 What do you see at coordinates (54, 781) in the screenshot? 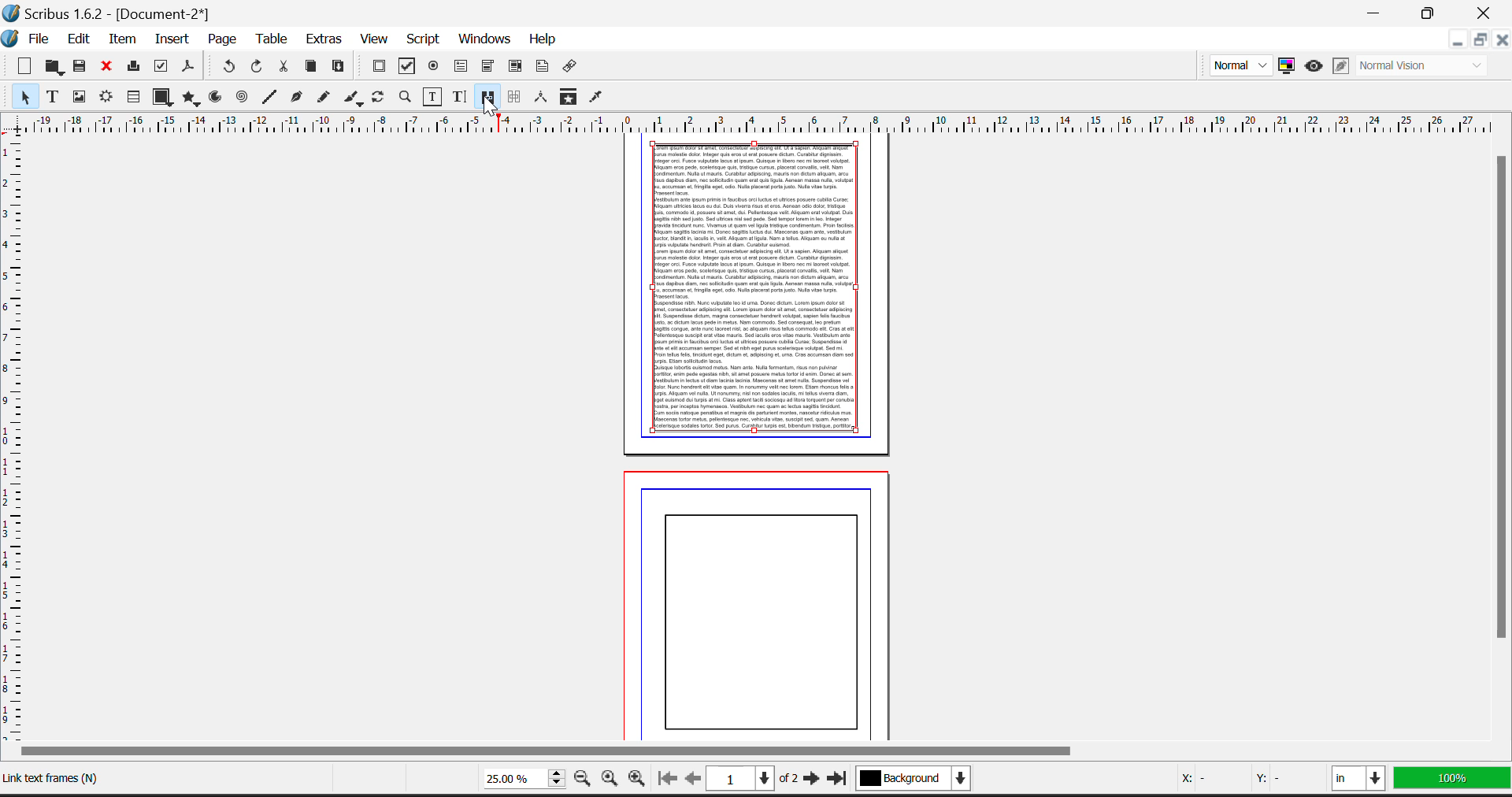
I see `Link Text Frame` at bounding box center [54, 781].